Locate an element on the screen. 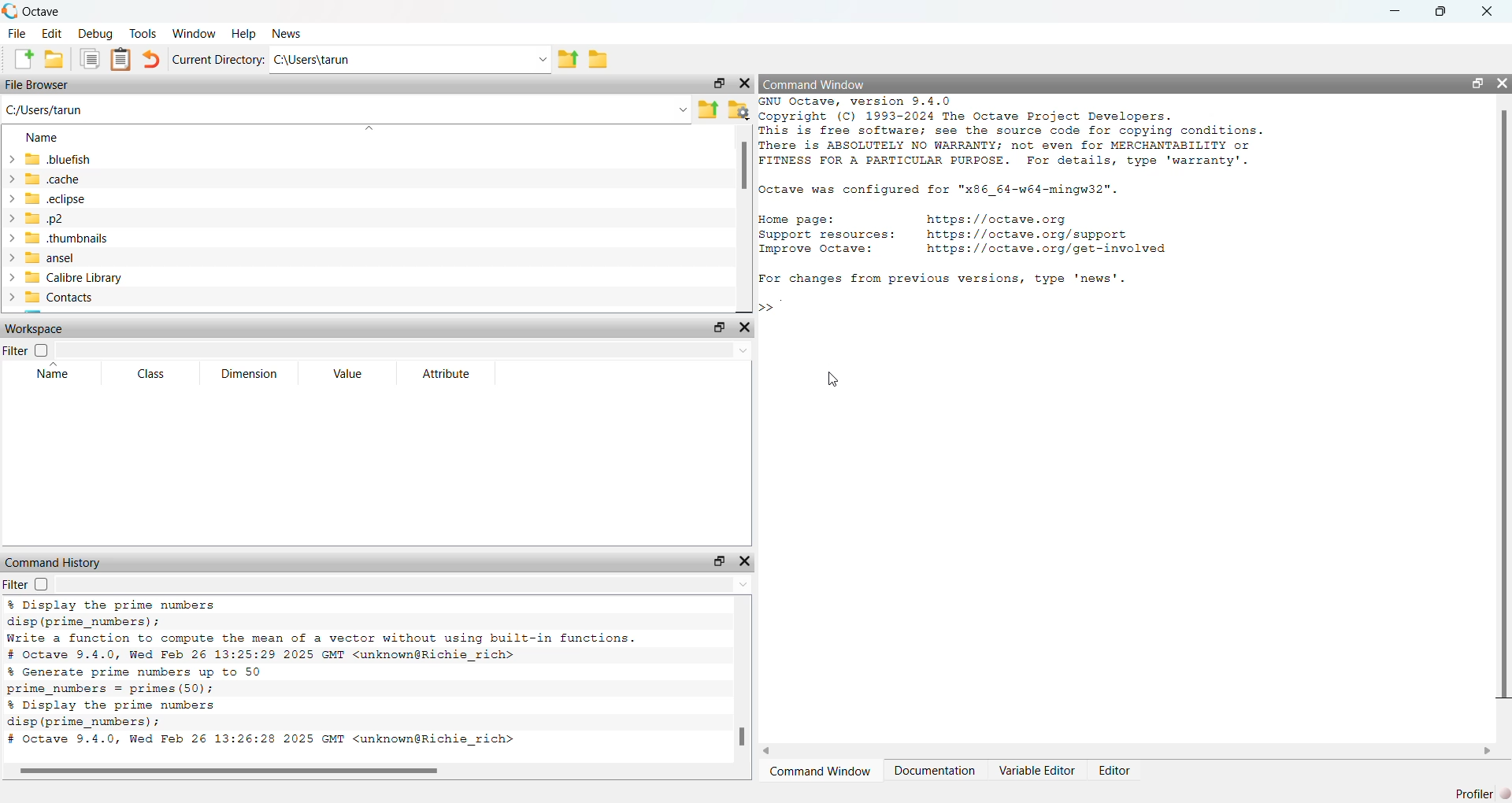 This screenshot has height=803, width=1512. Workspace is located at coordinates (35, 328).